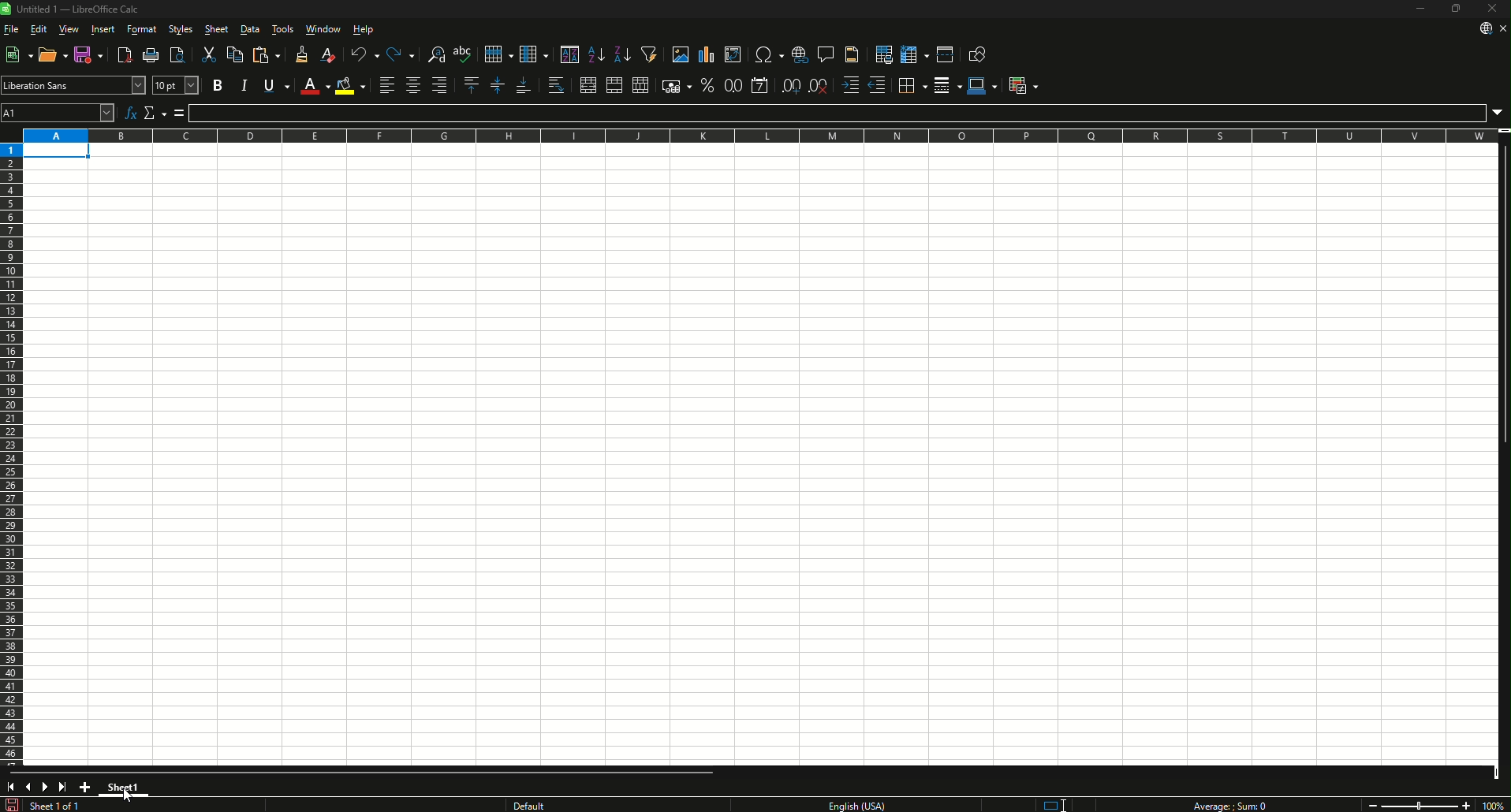 Image resolution: width=1511 pixels, height=812 pixels. Describe the element at coordinates (946, 54) in the screenshot. I see `Split Window` at that location.